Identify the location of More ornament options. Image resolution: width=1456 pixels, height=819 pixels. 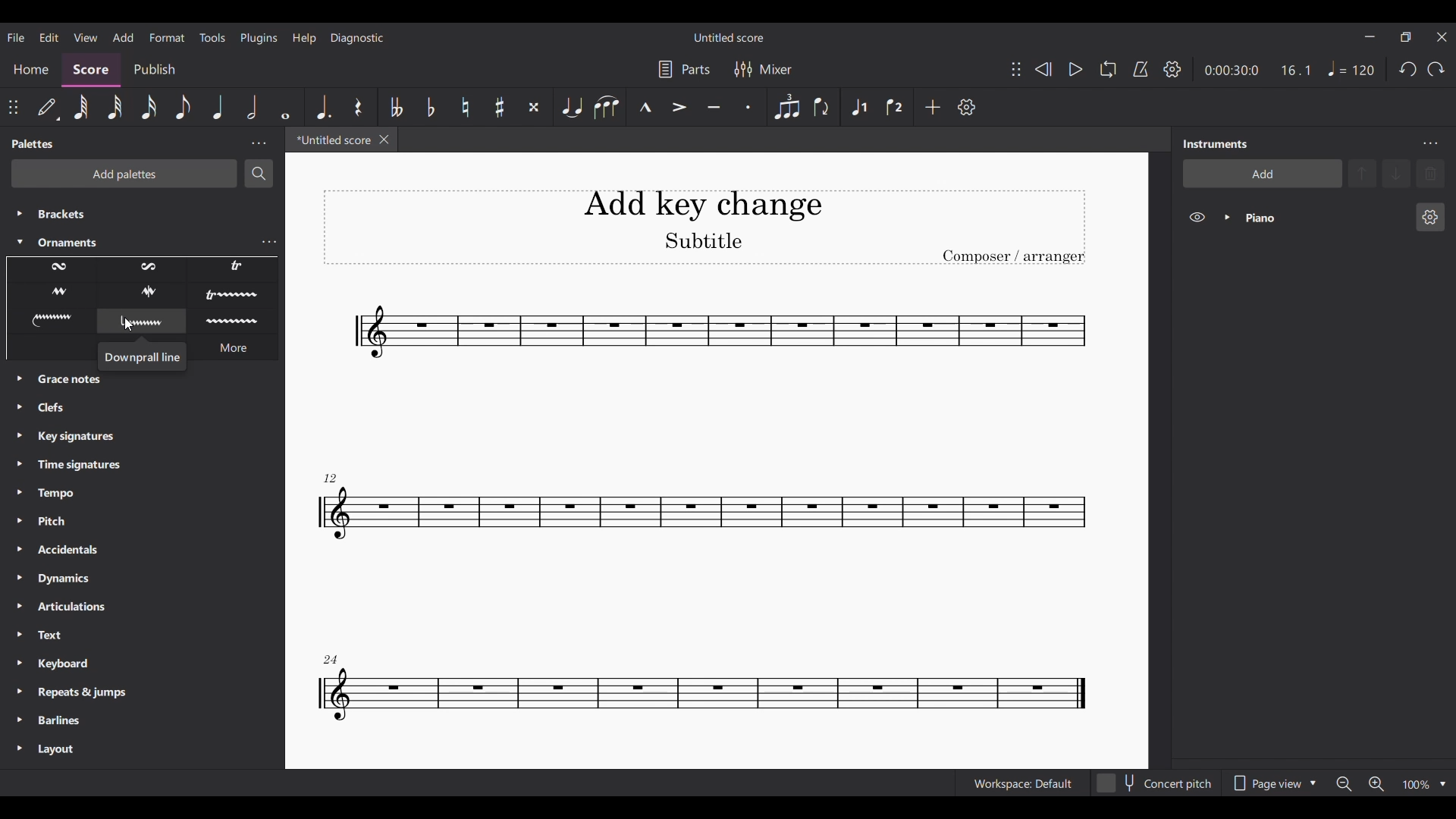
(233, 347).